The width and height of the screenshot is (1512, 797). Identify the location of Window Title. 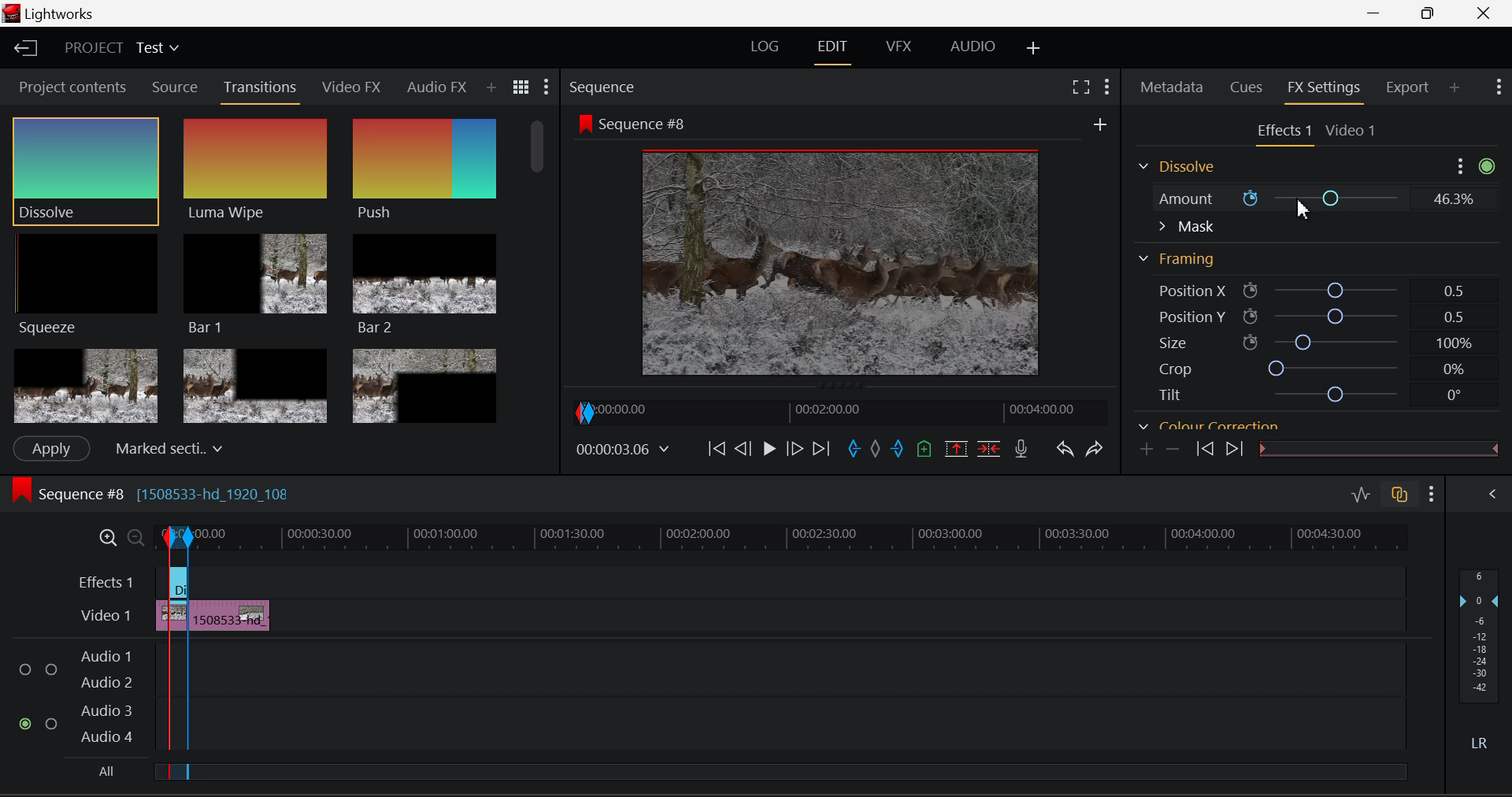
(50, 13).